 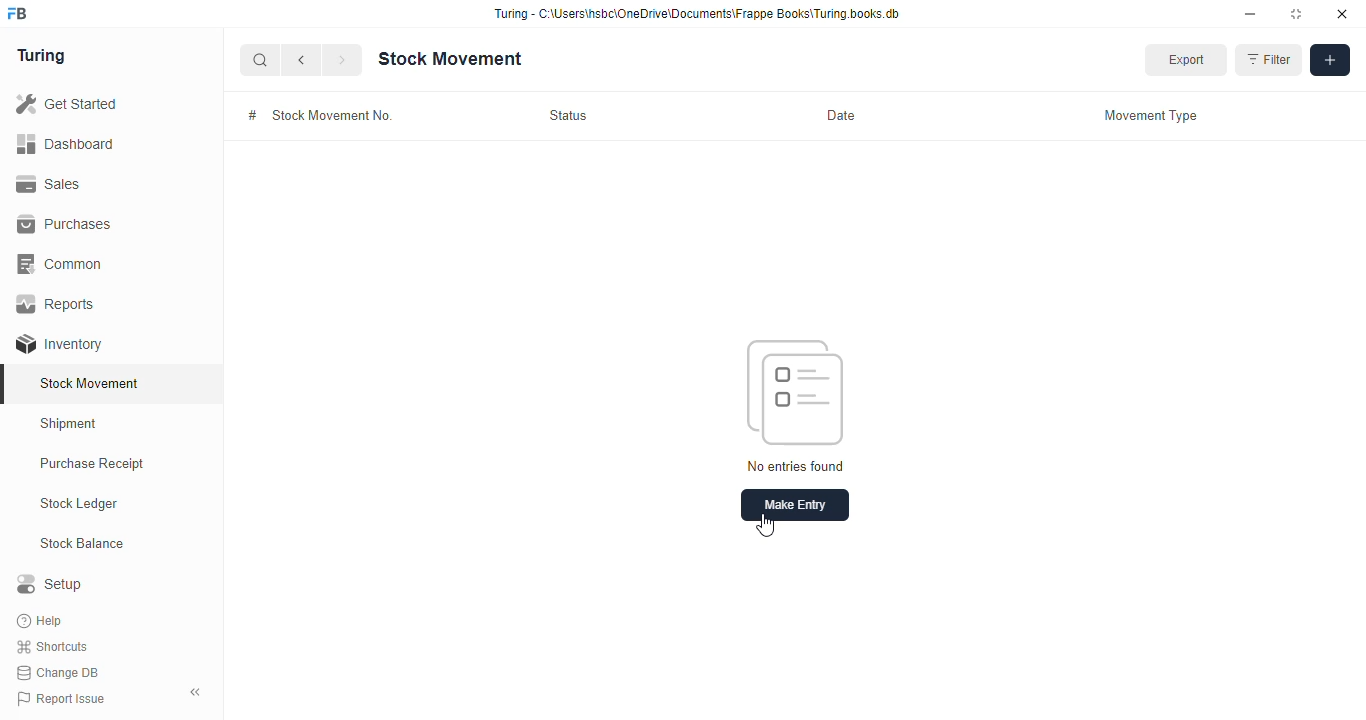 I want to click on change DB, so click(x=58, y=673).